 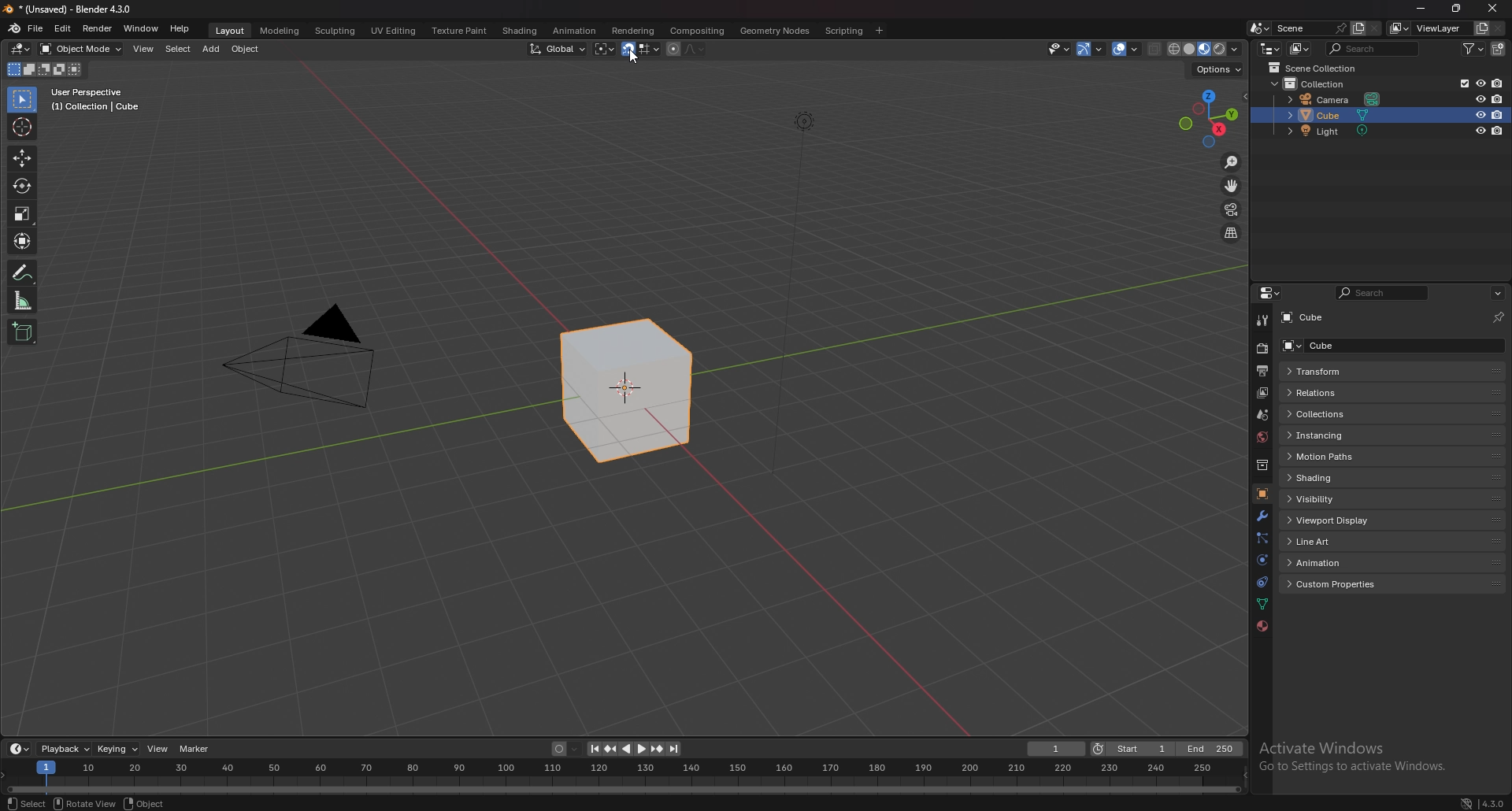 I want to click on jump to previous keyframe, so click(x=613, y=749).